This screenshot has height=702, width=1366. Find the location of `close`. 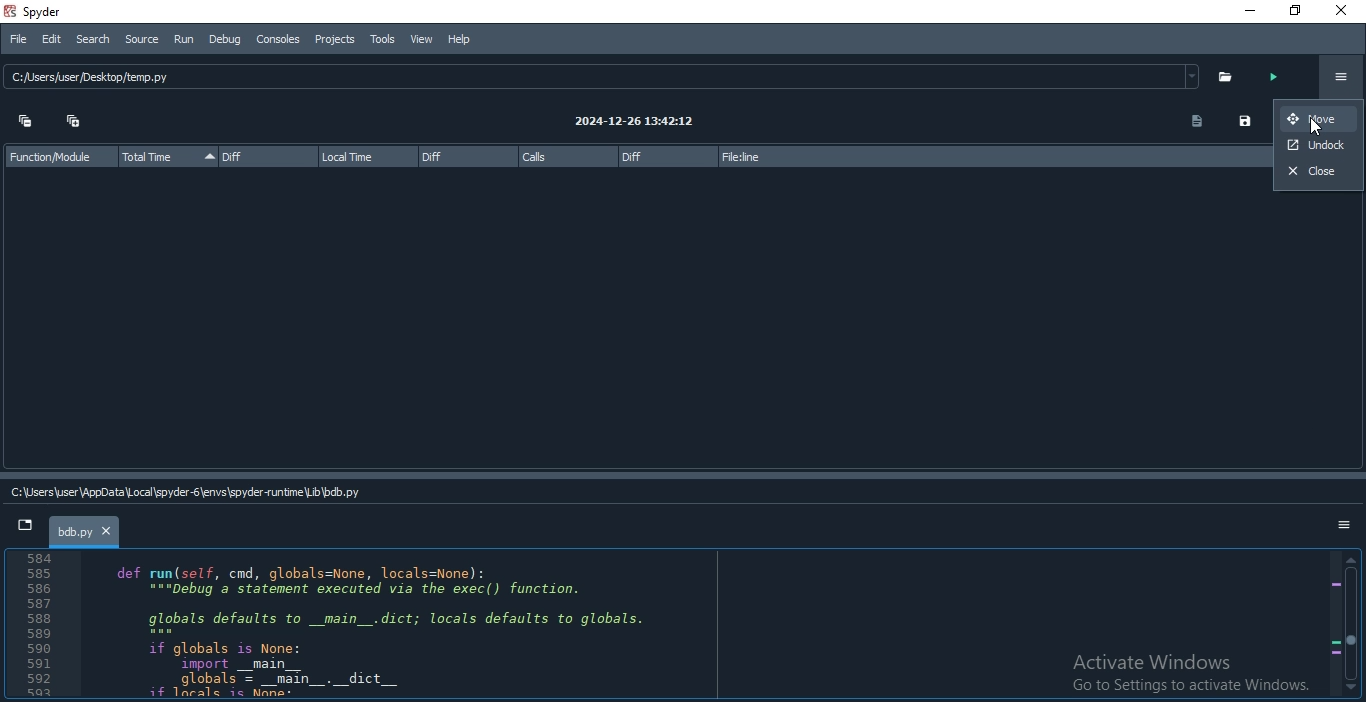

close is located at coordinates (1318, 176).